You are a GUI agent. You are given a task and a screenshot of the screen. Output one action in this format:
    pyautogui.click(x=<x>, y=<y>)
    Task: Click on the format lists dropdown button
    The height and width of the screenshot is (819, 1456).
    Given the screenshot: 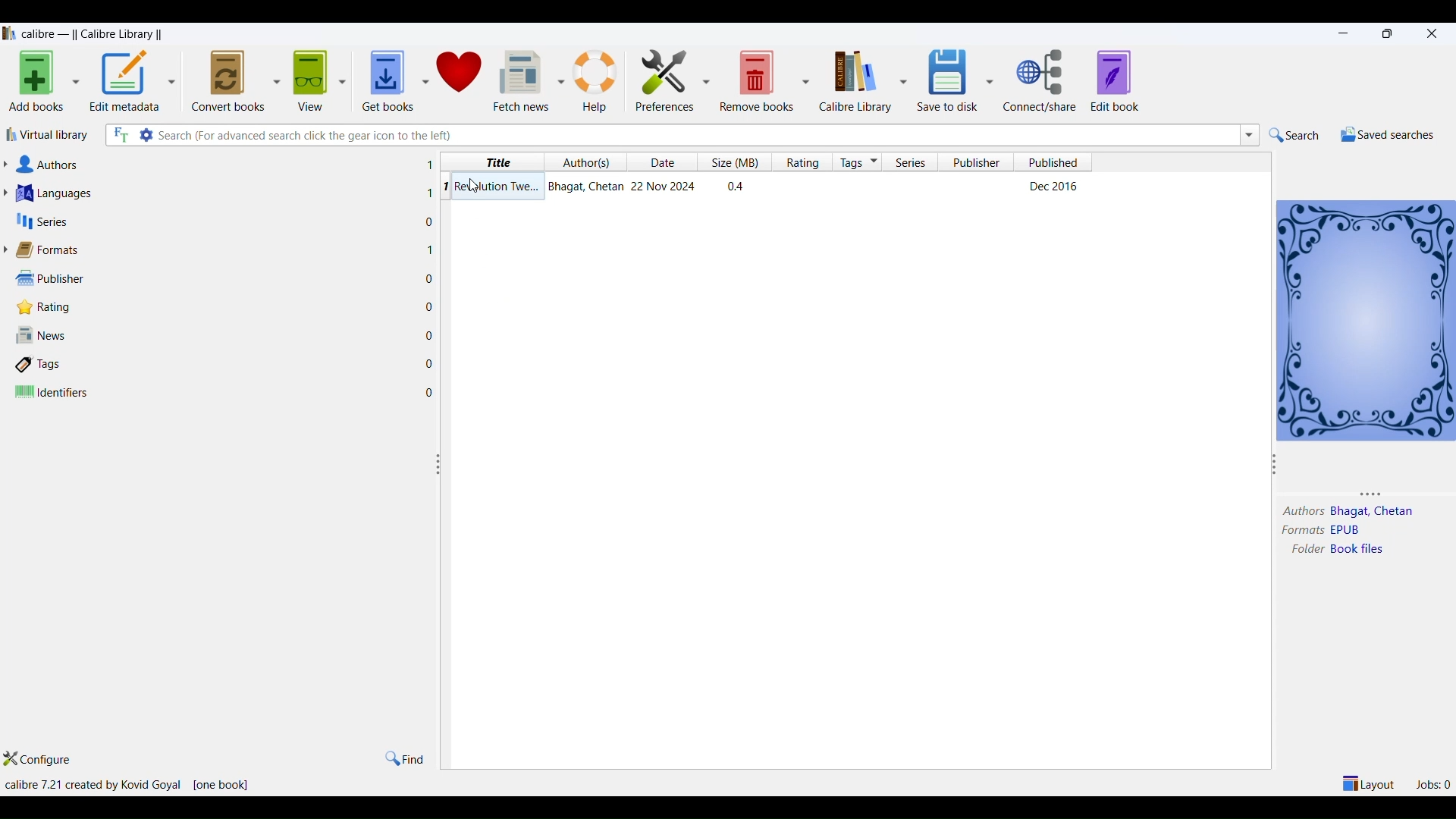 What is the action you would take?
    pyautogui.click(x=9, y=249)
    